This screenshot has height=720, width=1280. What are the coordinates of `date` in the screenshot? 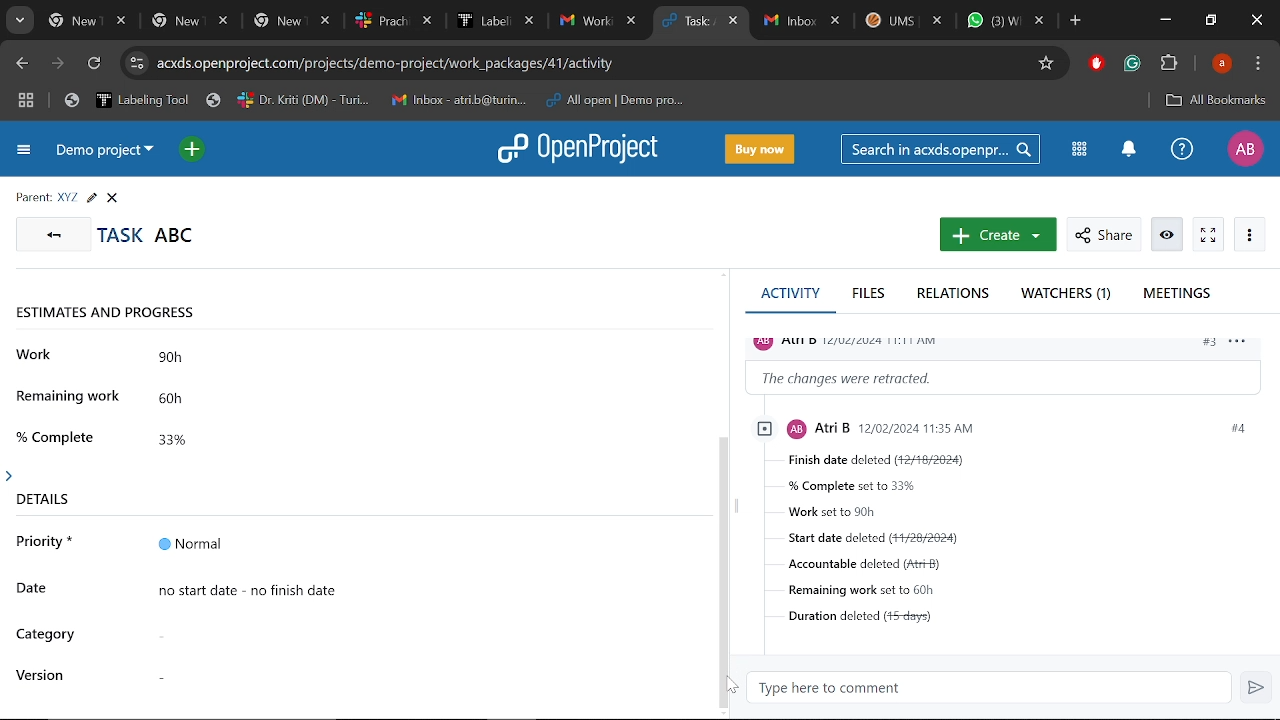 It's located at (38, 588).